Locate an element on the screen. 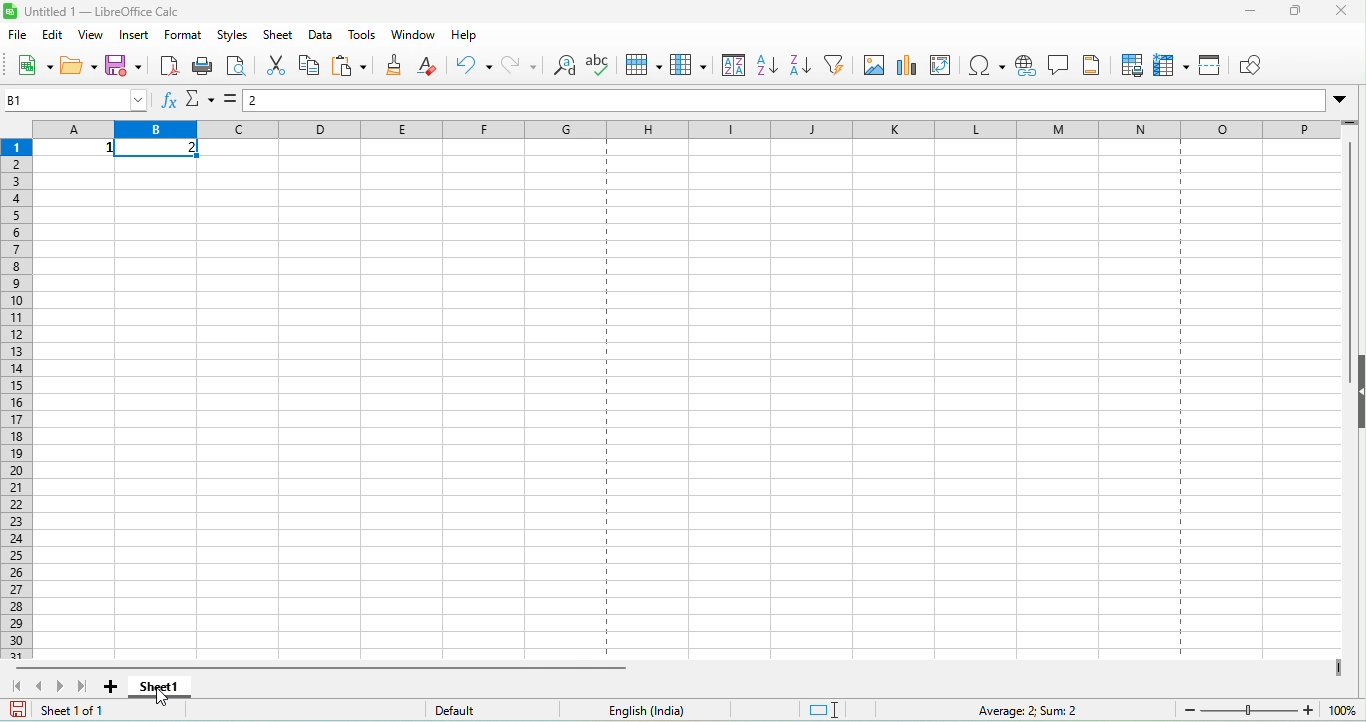  scroll to next sheet is located at coordinates (65, 689).